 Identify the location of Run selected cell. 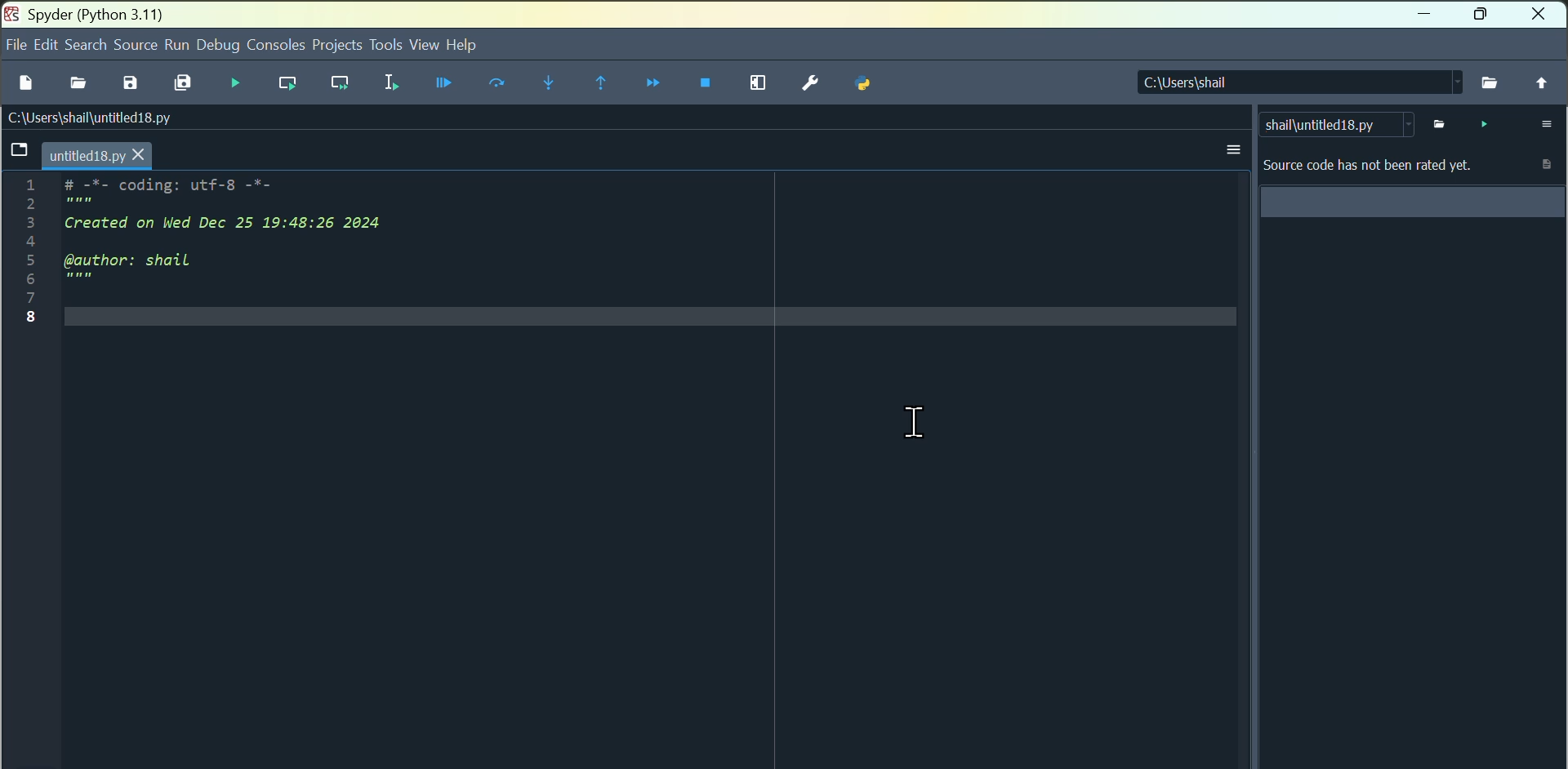
(388, 87).